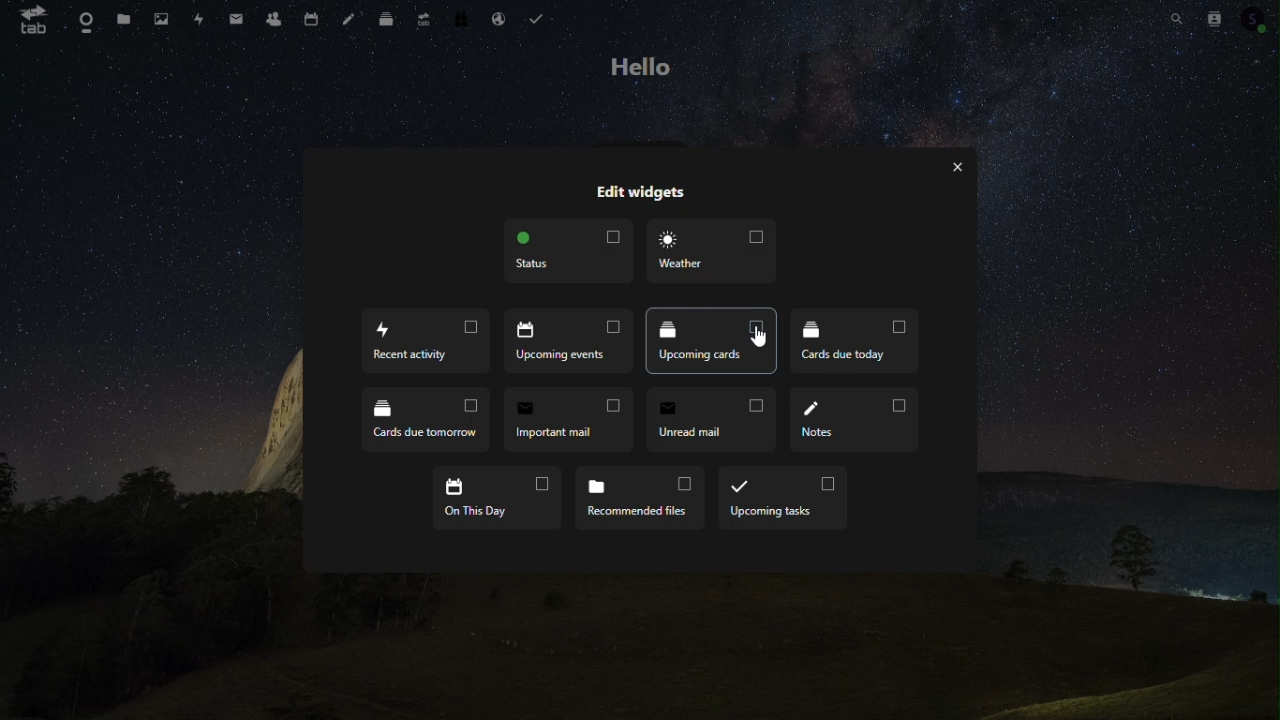 The image size is (1280, 720). Describe the element at coordinates (963, 167) in the screenshot. I see `close` at that location.